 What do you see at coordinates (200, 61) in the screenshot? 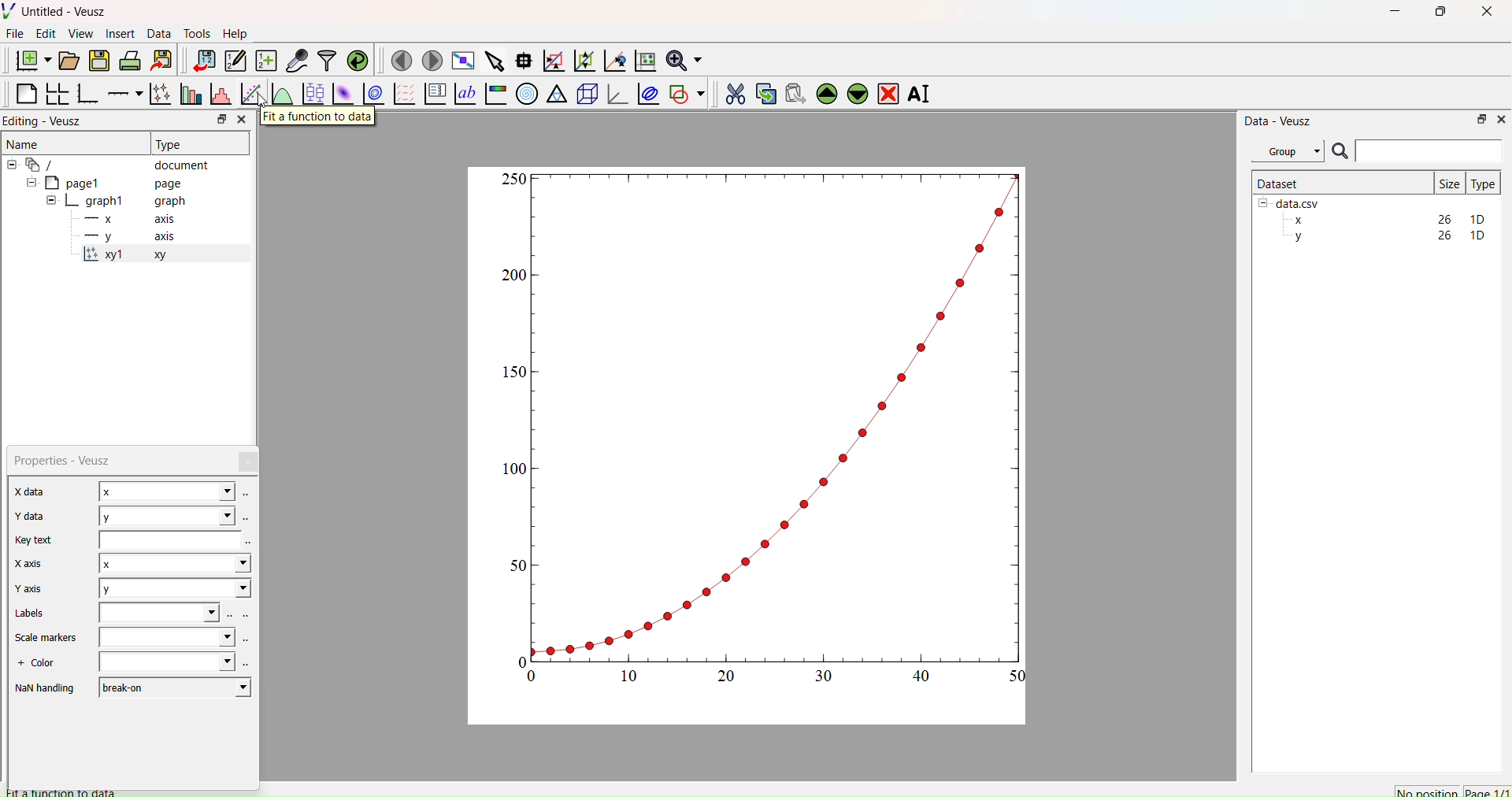
I see `Import data` at bounding box center [200, 61].